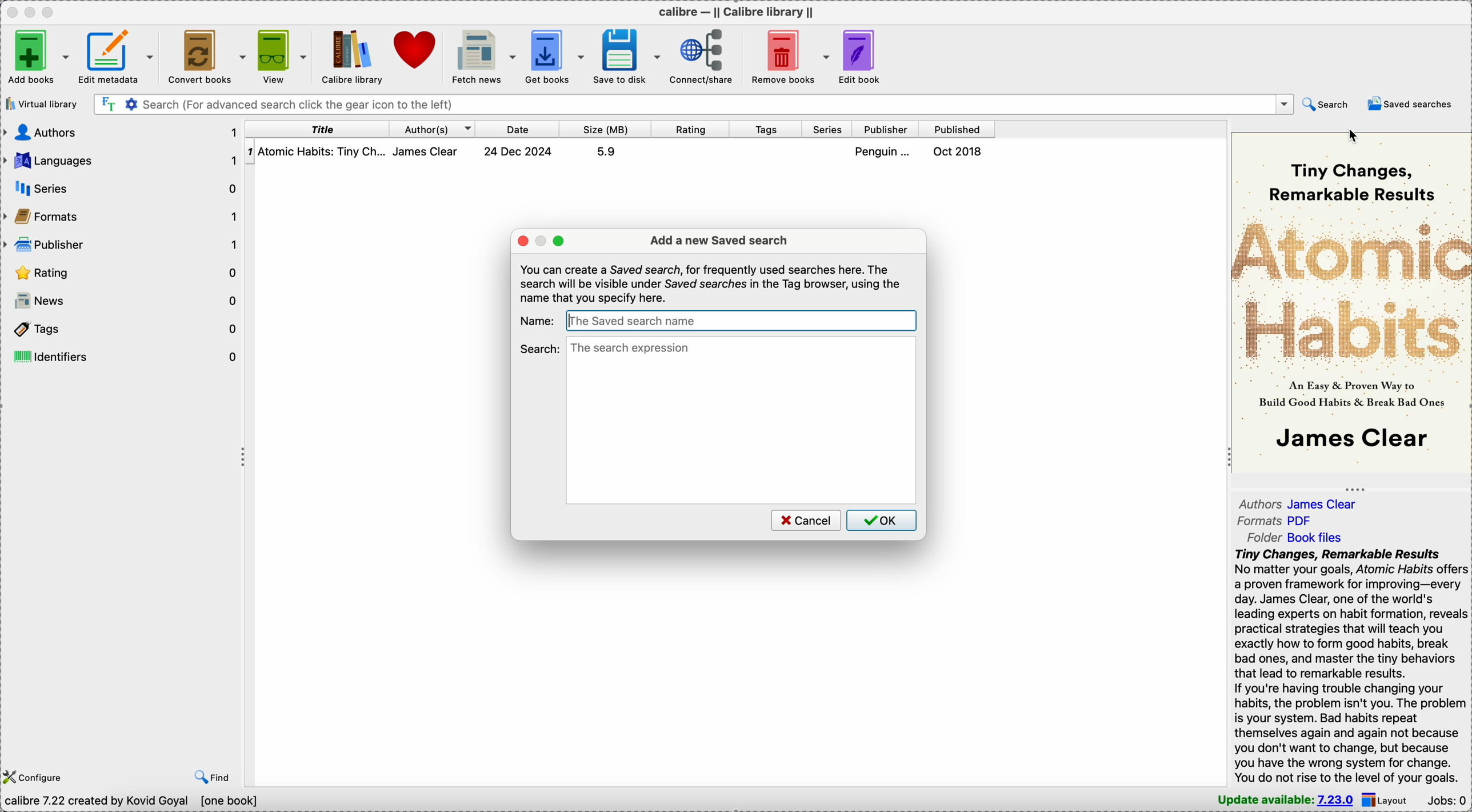 The height and width of the screenshot is (812, 1472). I want to click on folder Book files, so click(1294, 538).